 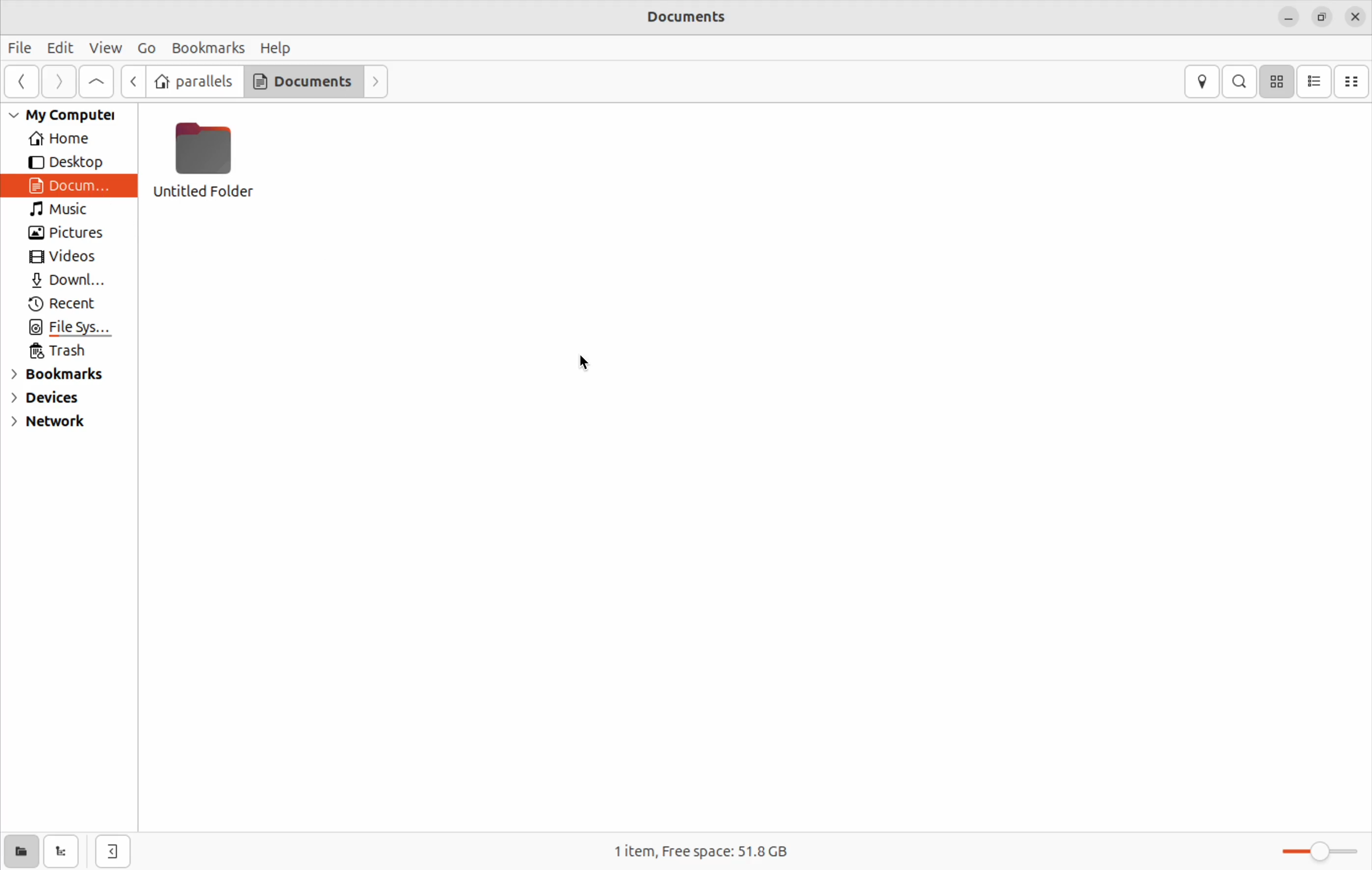 What do you see at coordinates (73, 211) in the screenshot?
I see `Music` at bounding box center [73, 211].